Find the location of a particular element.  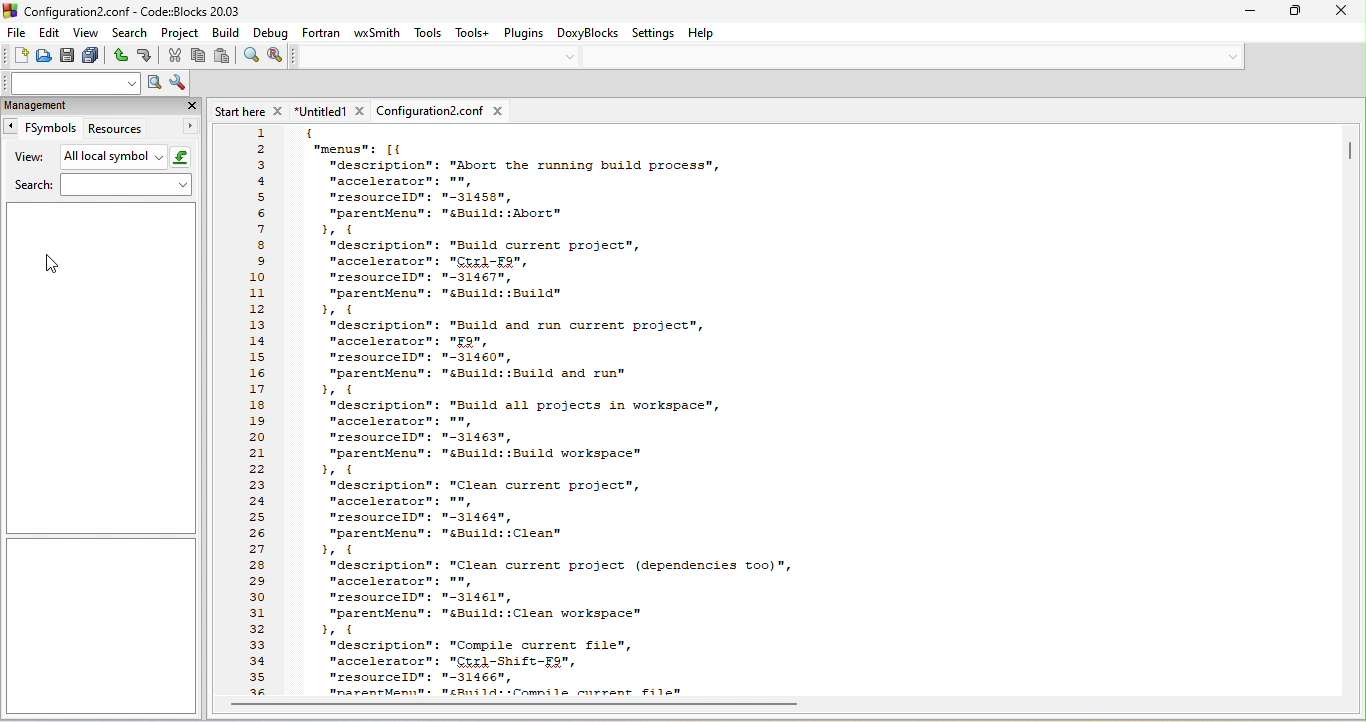

default.cbKeyBinder201.conf - CodezBlocks 20.03 is located at coordinates (161, 11).